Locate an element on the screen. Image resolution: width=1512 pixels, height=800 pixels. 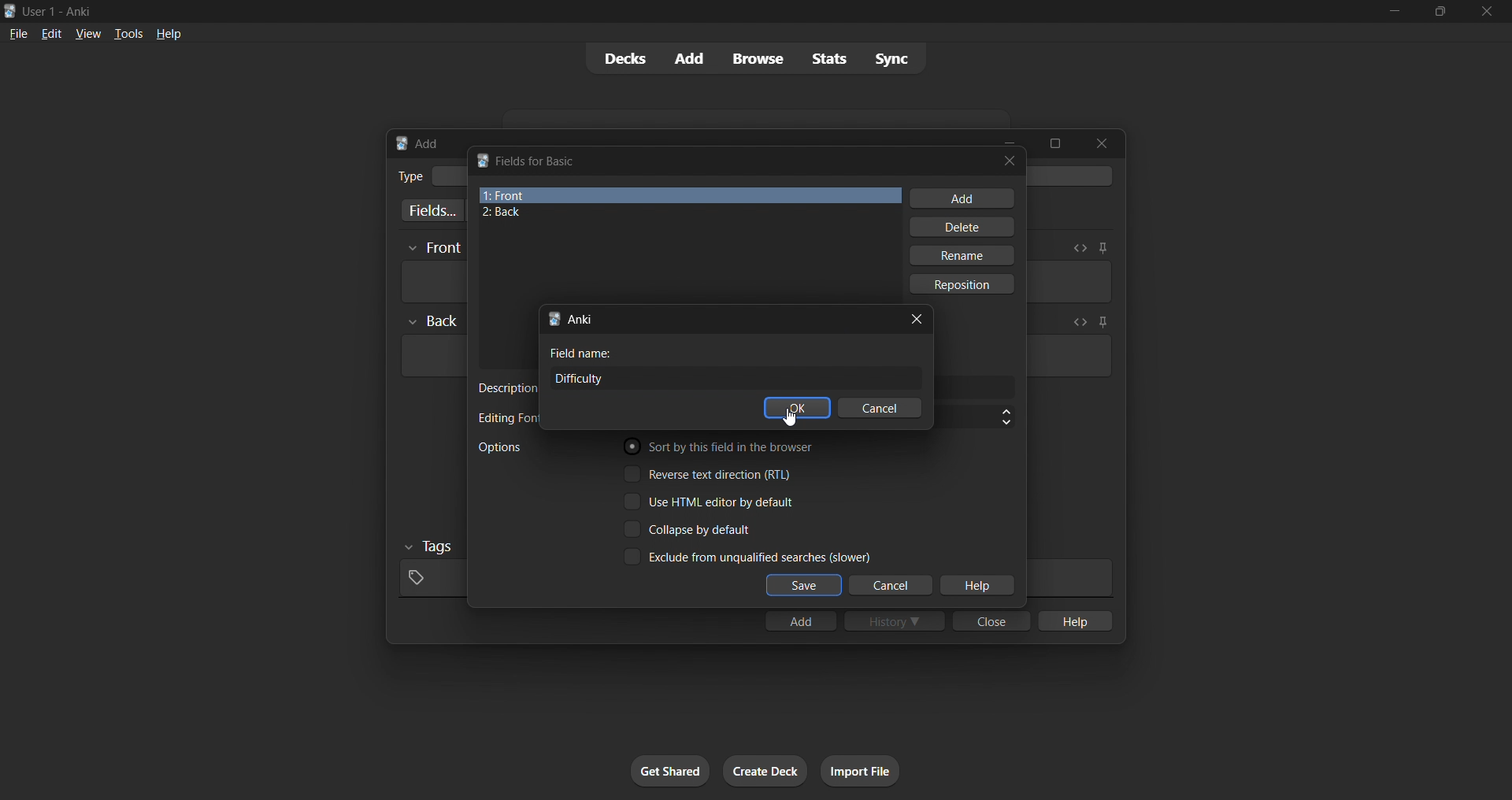
save is located at coordinates (804, 586).